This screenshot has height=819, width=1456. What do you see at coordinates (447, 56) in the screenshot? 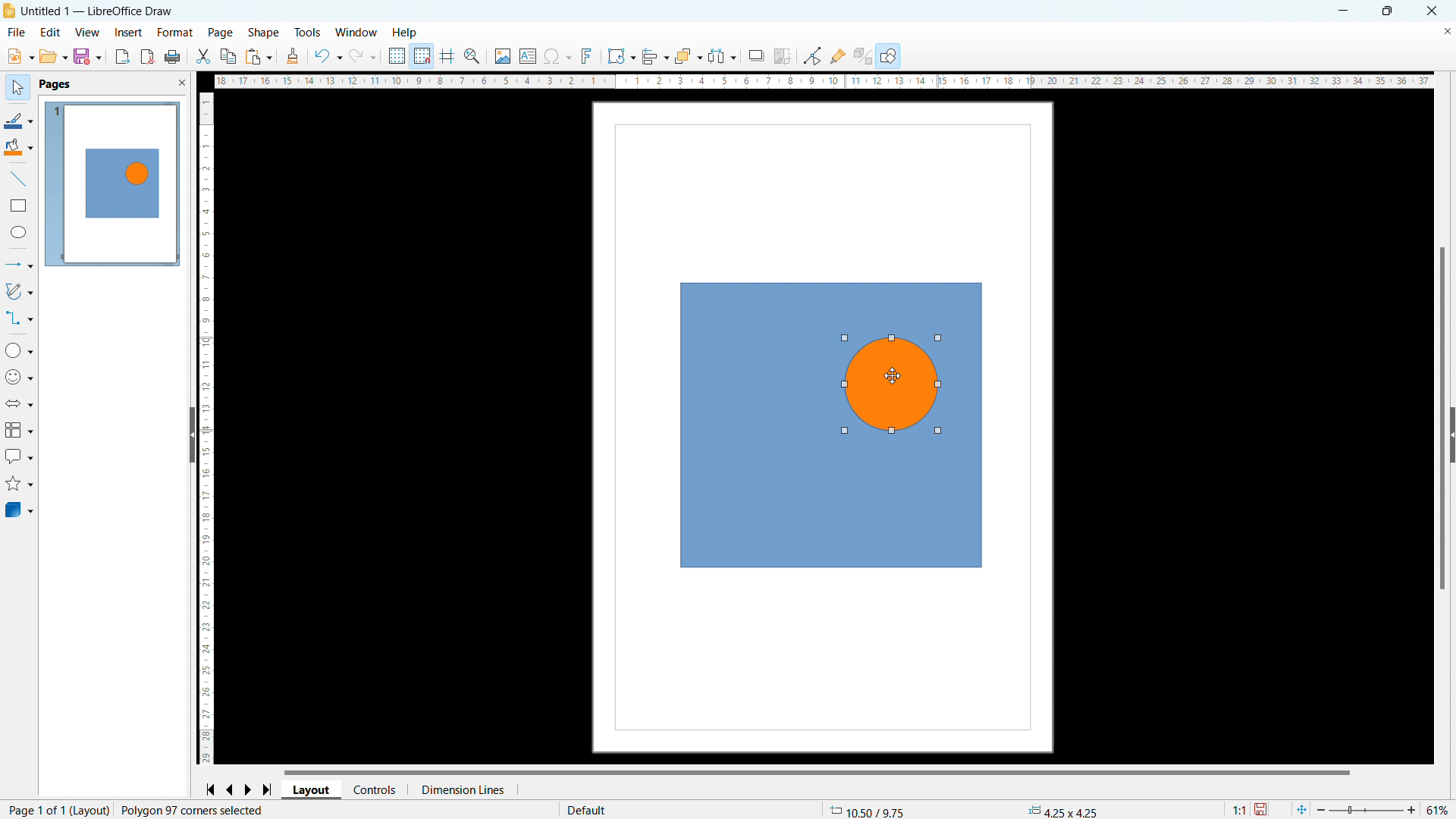
I see `helplines while moving` at bounding box center [447, 56].